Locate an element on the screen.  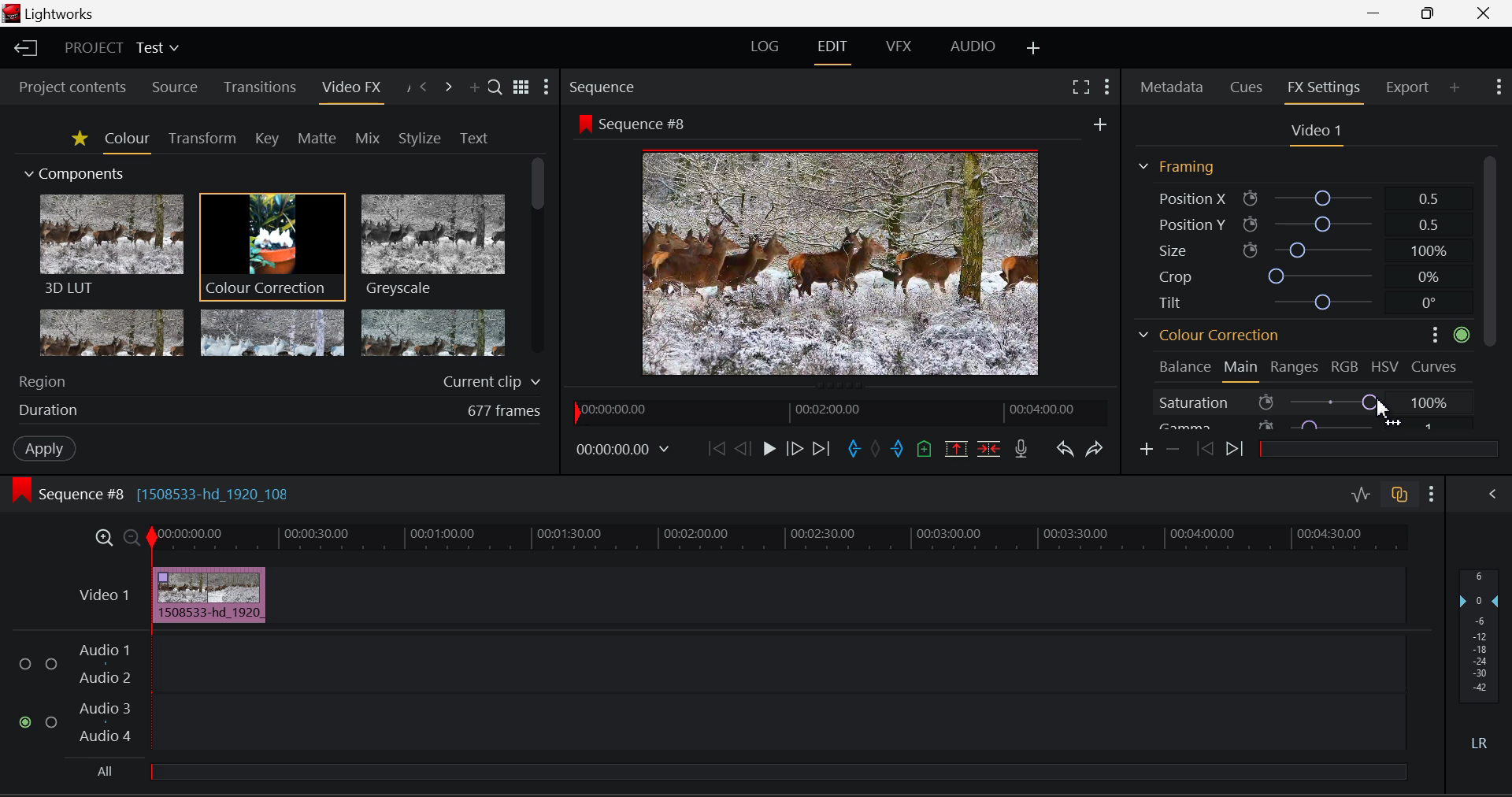
Preview Screen Altered is located at coordinates (835, 260).